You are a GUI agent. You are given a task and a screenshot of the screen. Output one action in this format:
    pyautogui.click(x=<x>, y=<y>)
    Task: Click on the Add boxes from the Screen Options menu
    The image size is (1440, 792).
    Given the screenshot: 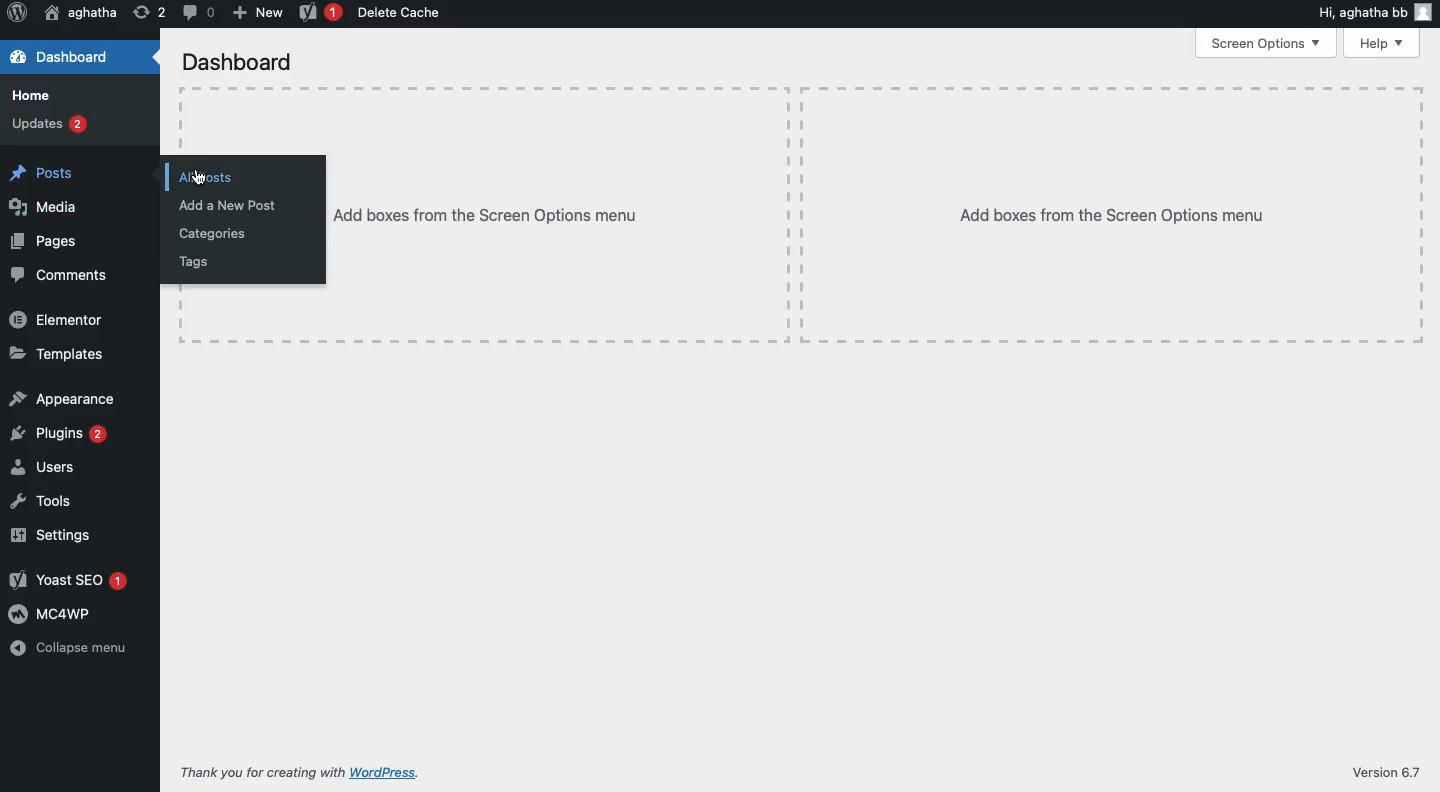 What is the action you would take?
    pyautogui.click(x=485, y=214)
    